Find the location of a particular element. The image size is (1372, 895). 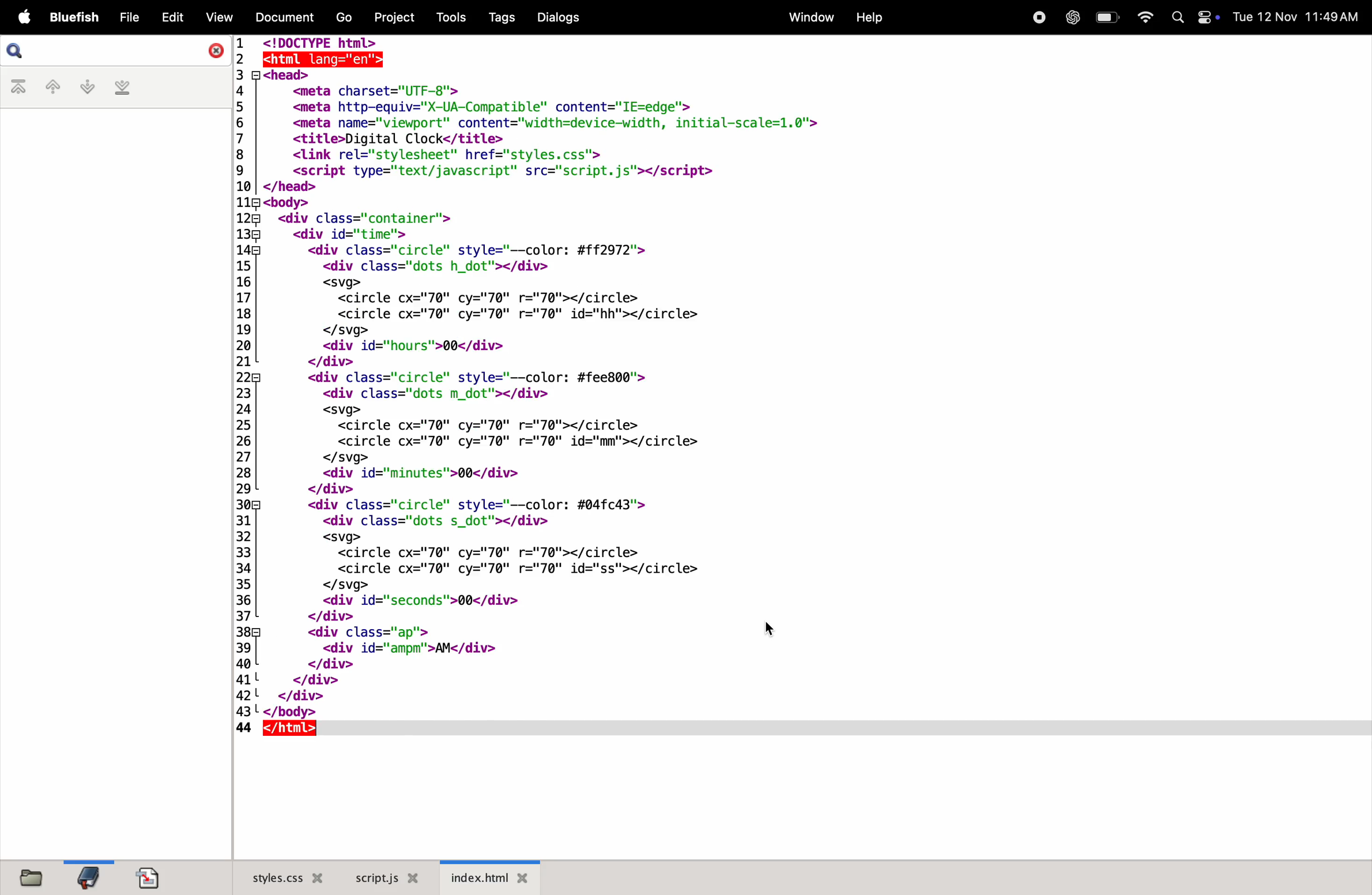

file is located at coordinates (128, 18).